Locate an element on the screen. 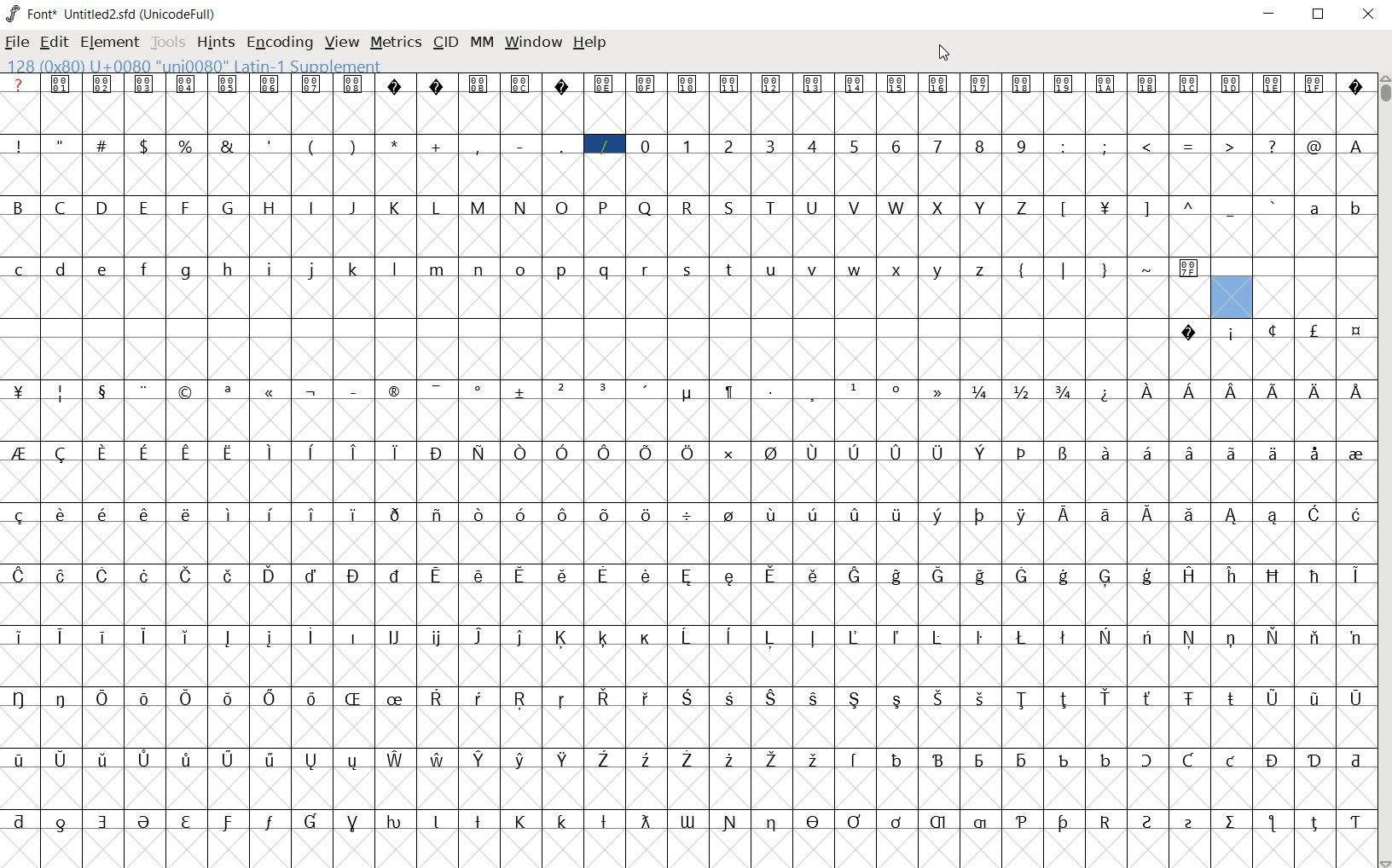  glyph is located at coordinates (769, 638).